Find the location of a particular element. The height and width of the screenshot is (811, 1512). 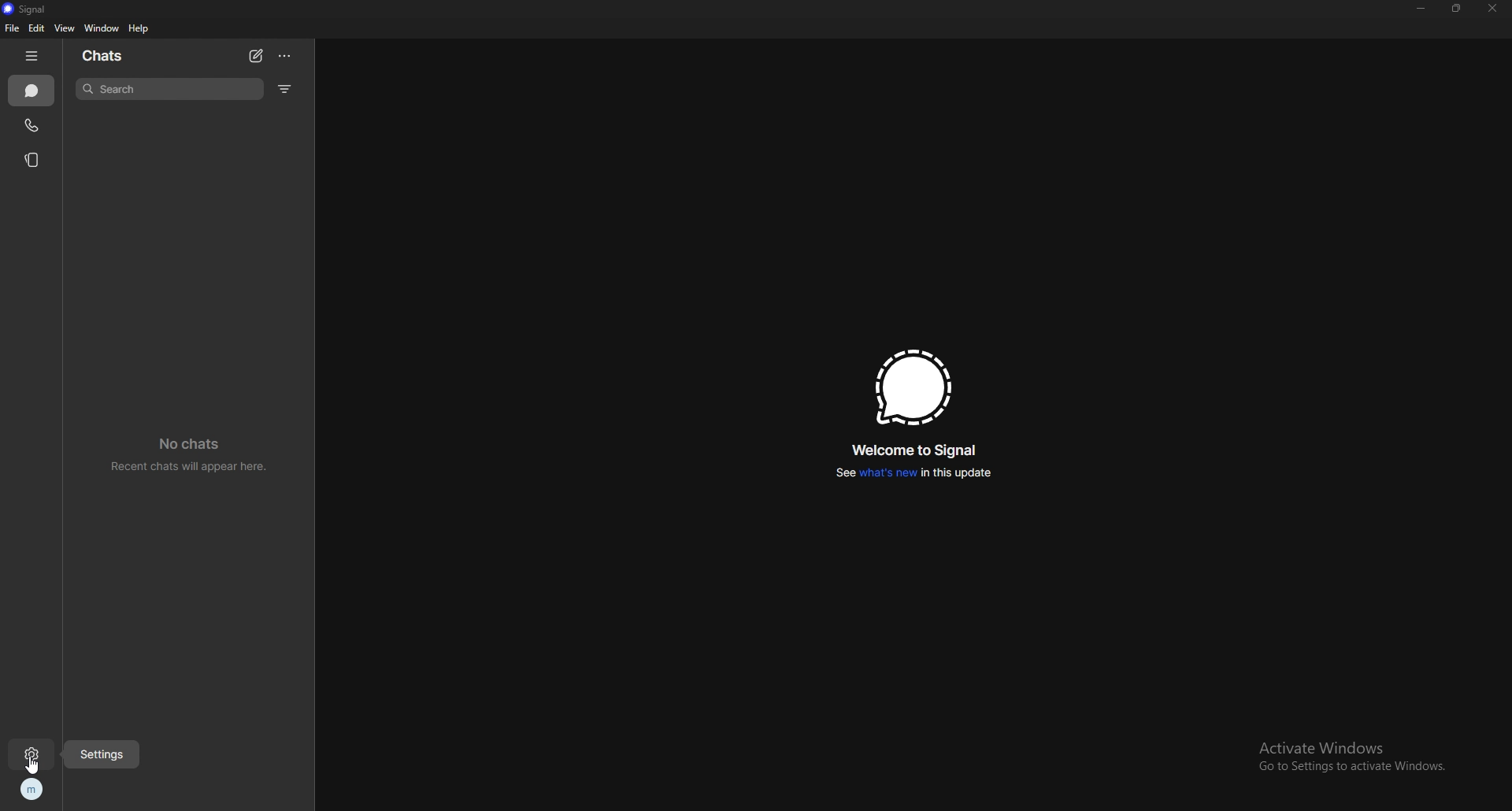

options is located at coordinates (286, 56).